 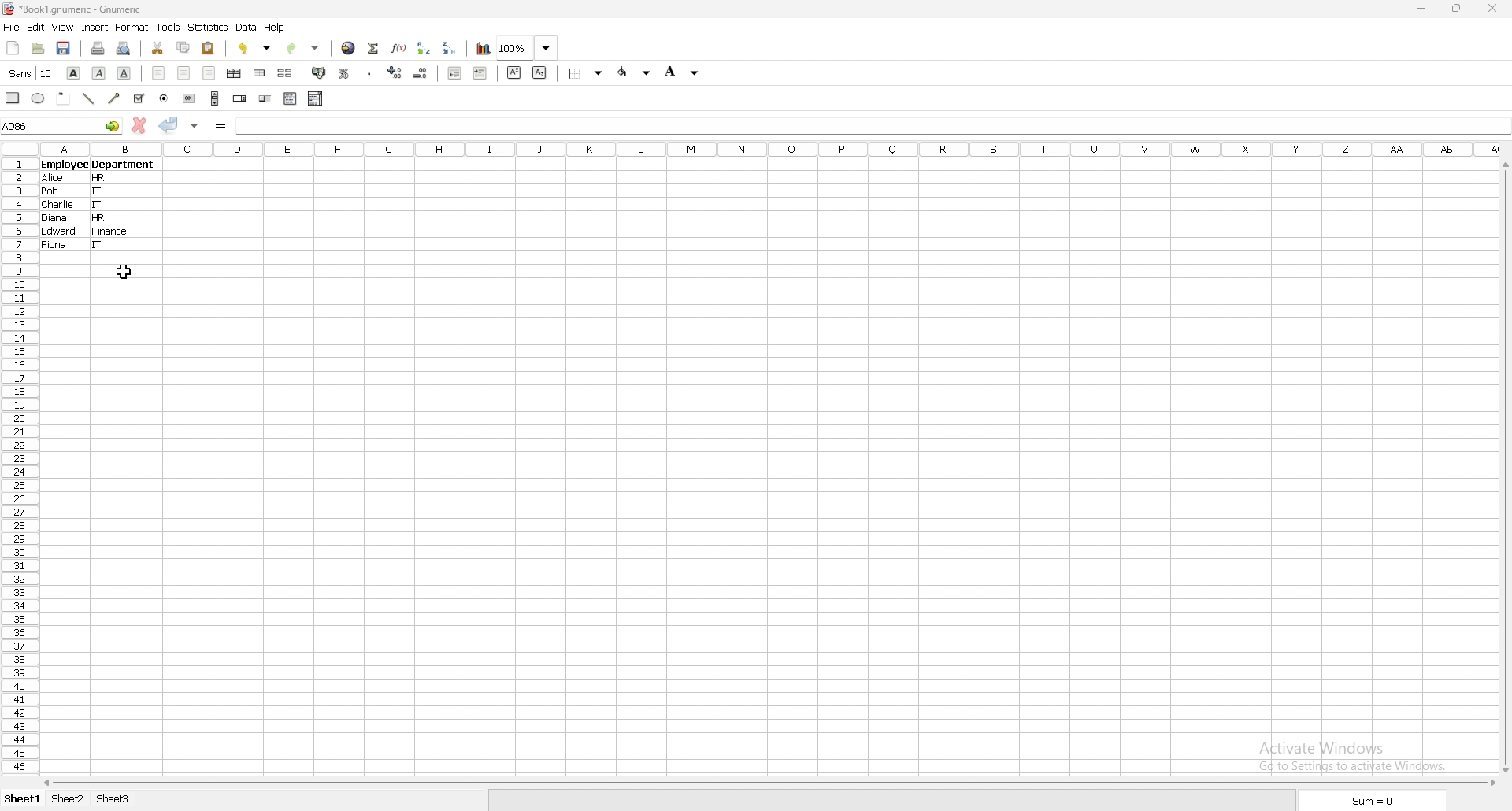 What do you see at coordinates (770, 782) in the screenshot?
I see `scroll bar` at bounding box center [770, 782].